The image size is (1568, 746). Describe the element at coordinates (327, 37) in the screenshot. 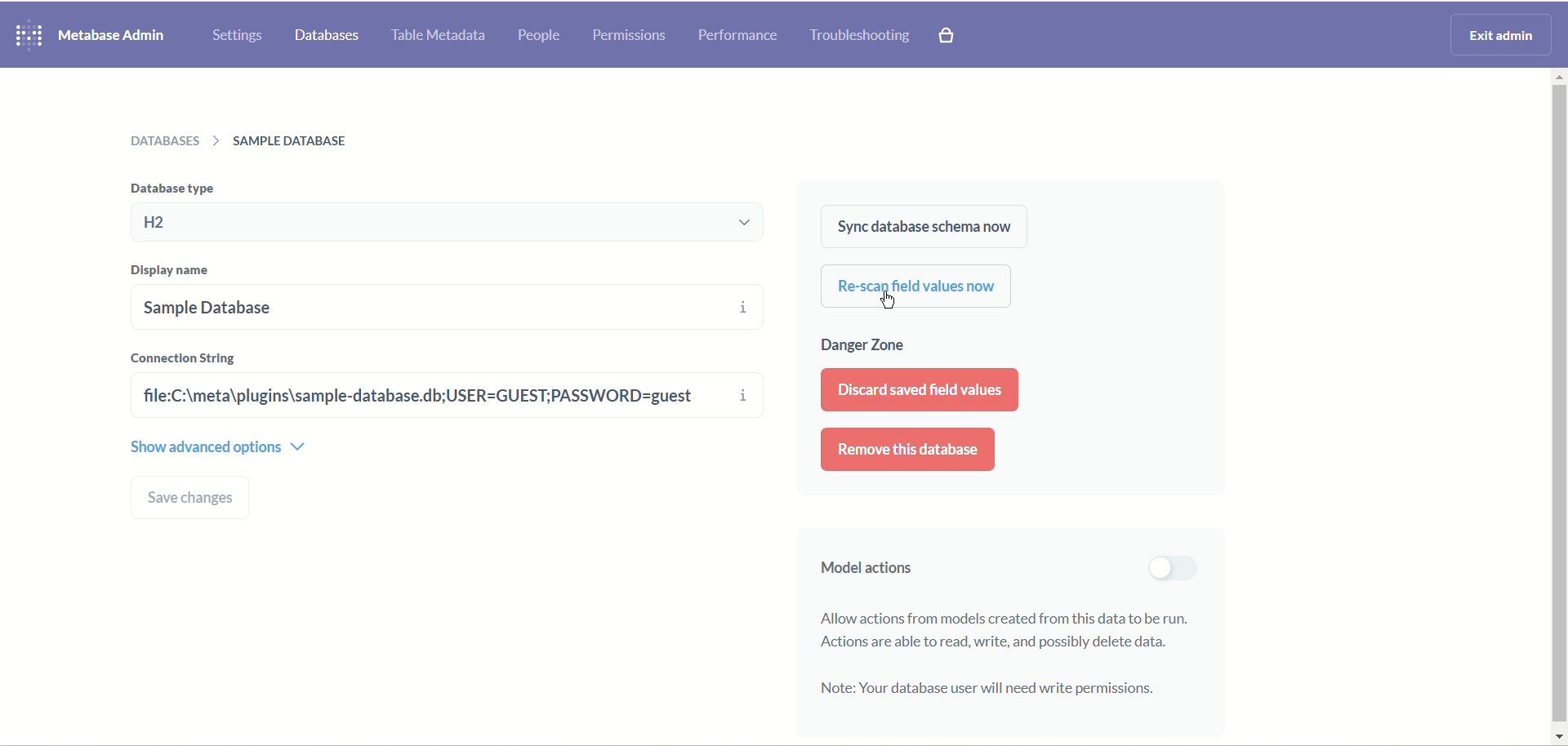

I see `databases` at that location.